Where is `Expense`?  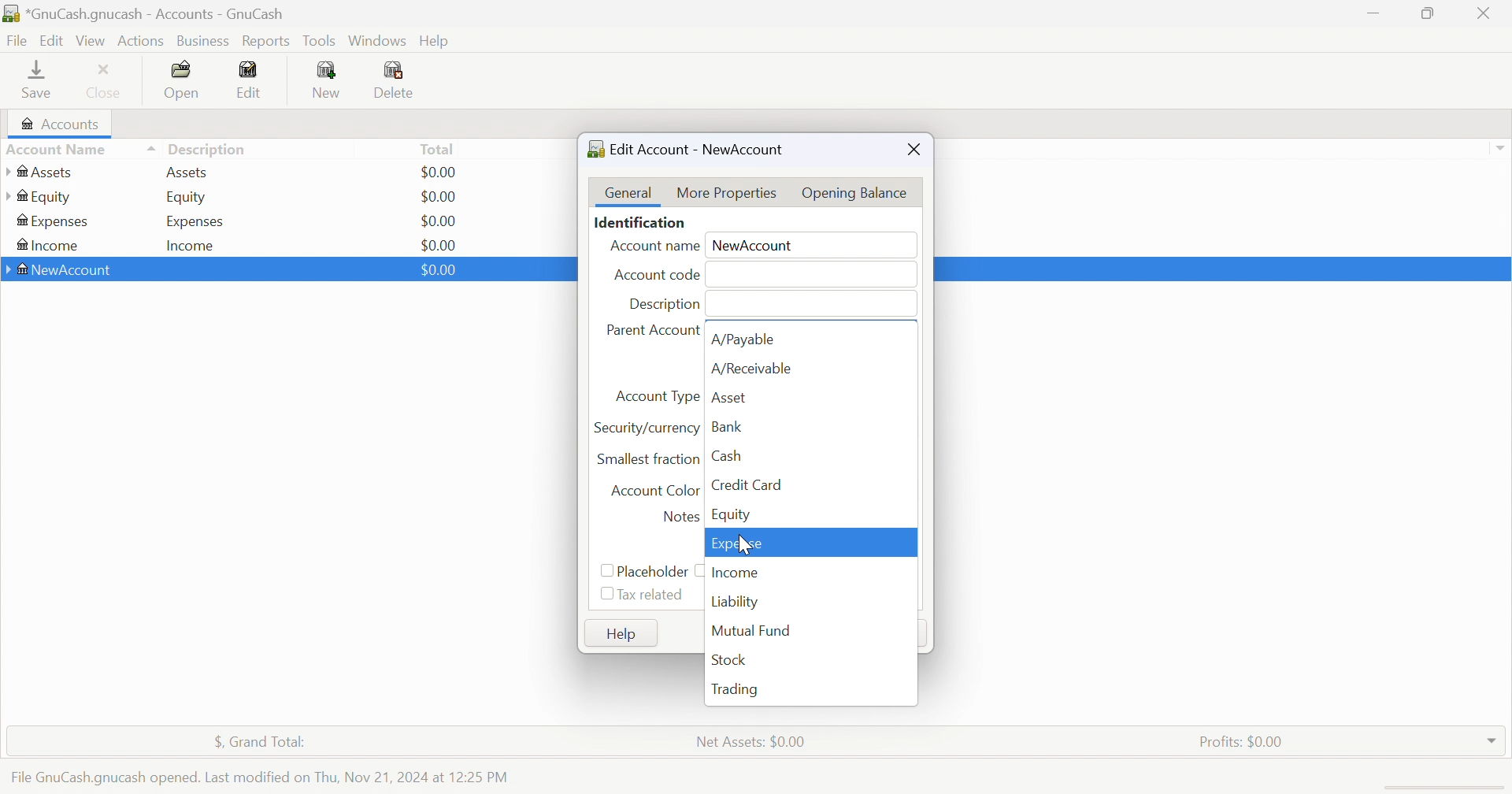 Expense is located at coordinates (739, 543).